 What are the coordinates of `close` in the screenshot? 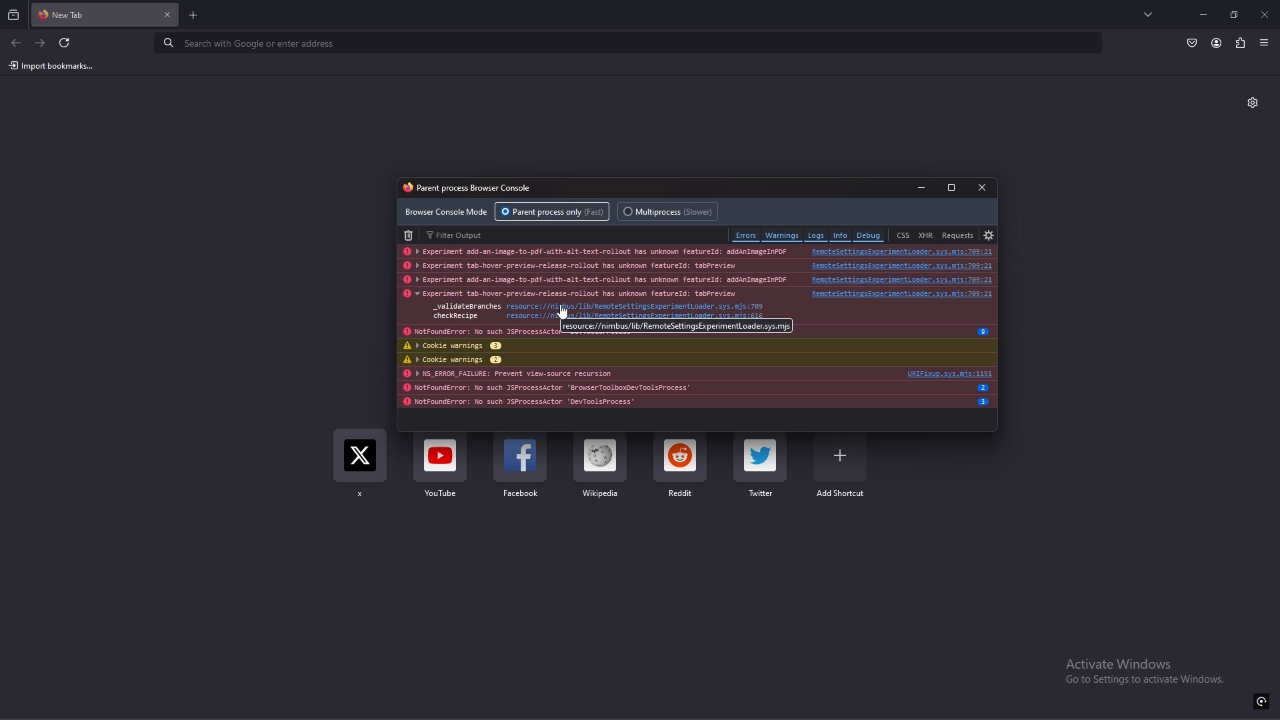 It's located at (1264, 14).